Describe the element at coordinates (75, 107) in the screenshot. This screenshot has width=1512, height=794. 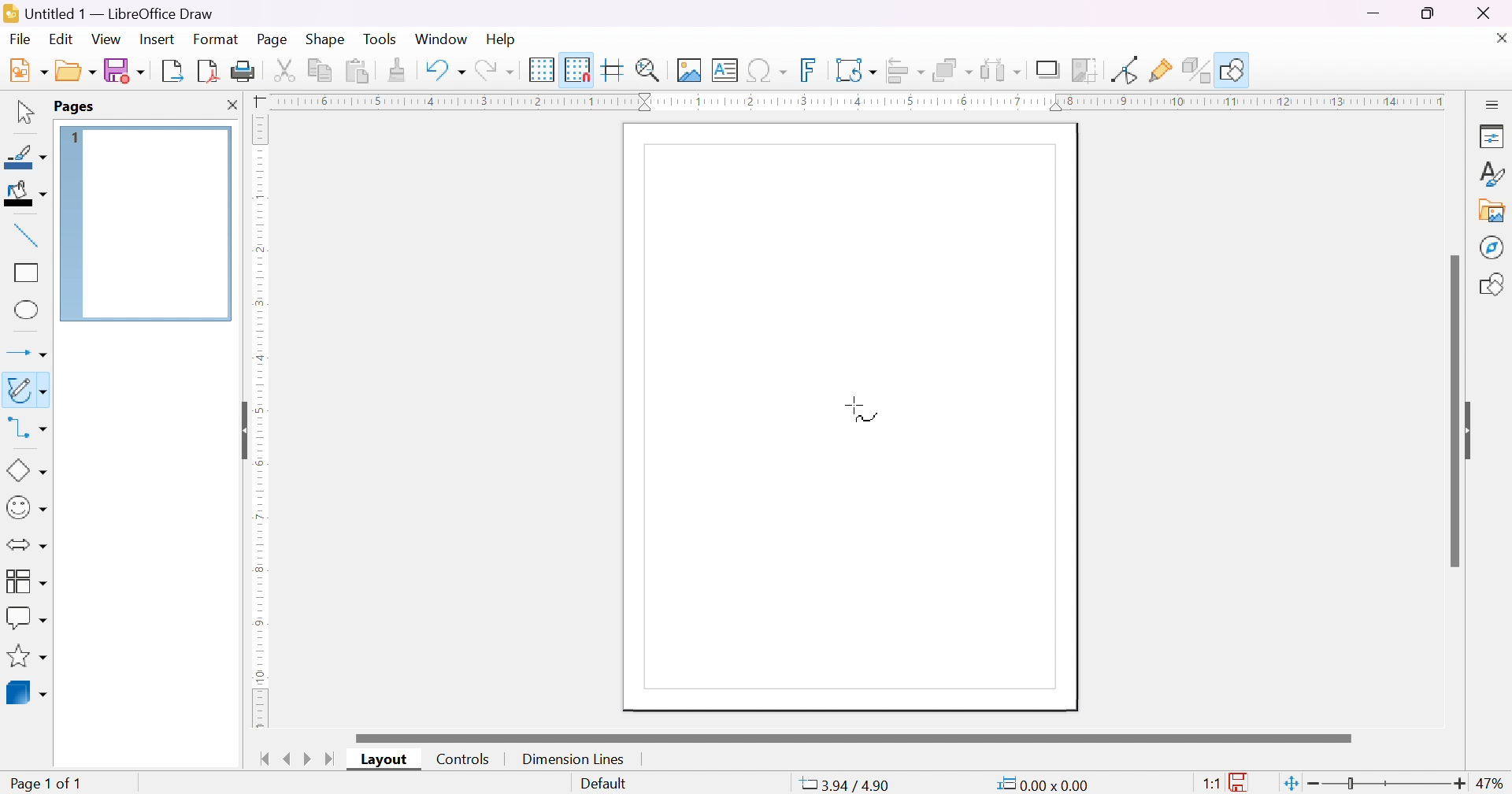
I see `pages` at that location.